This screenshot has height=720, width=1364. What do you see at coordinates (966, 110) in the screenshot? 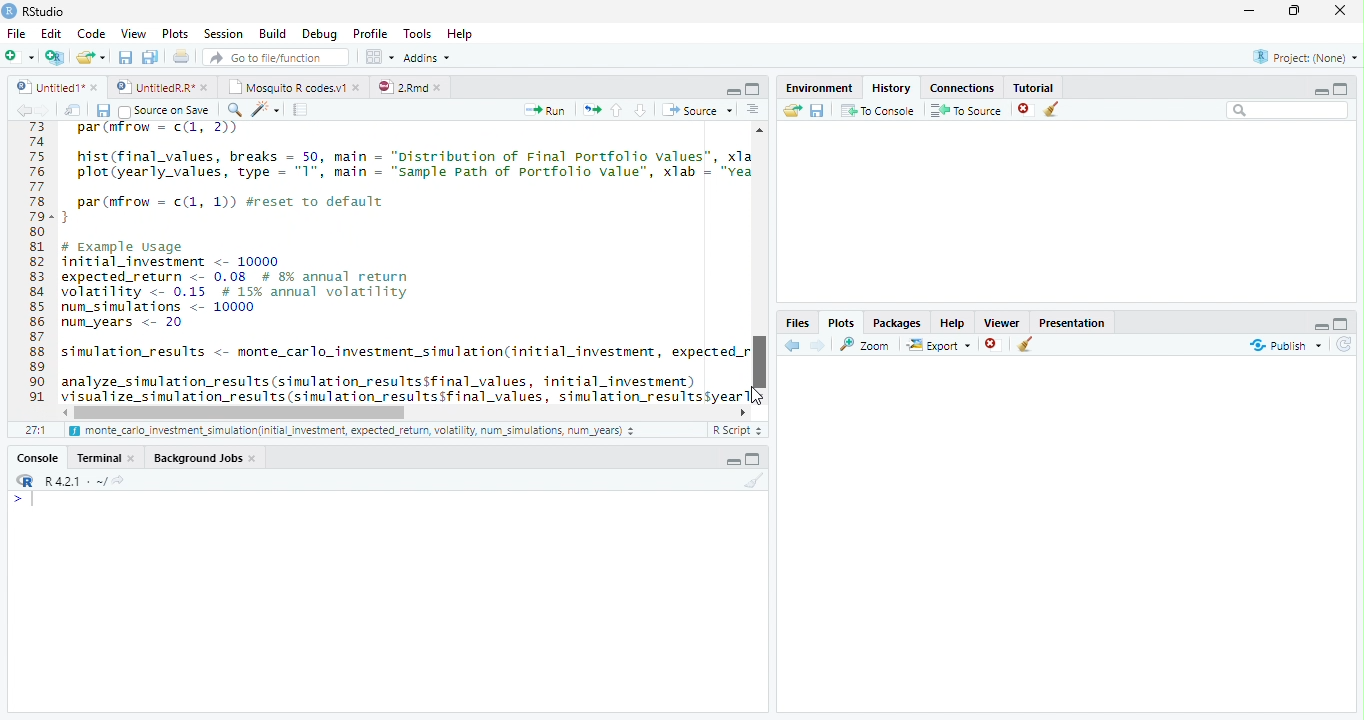
I see `To Source` at bounding box center [966, 110].